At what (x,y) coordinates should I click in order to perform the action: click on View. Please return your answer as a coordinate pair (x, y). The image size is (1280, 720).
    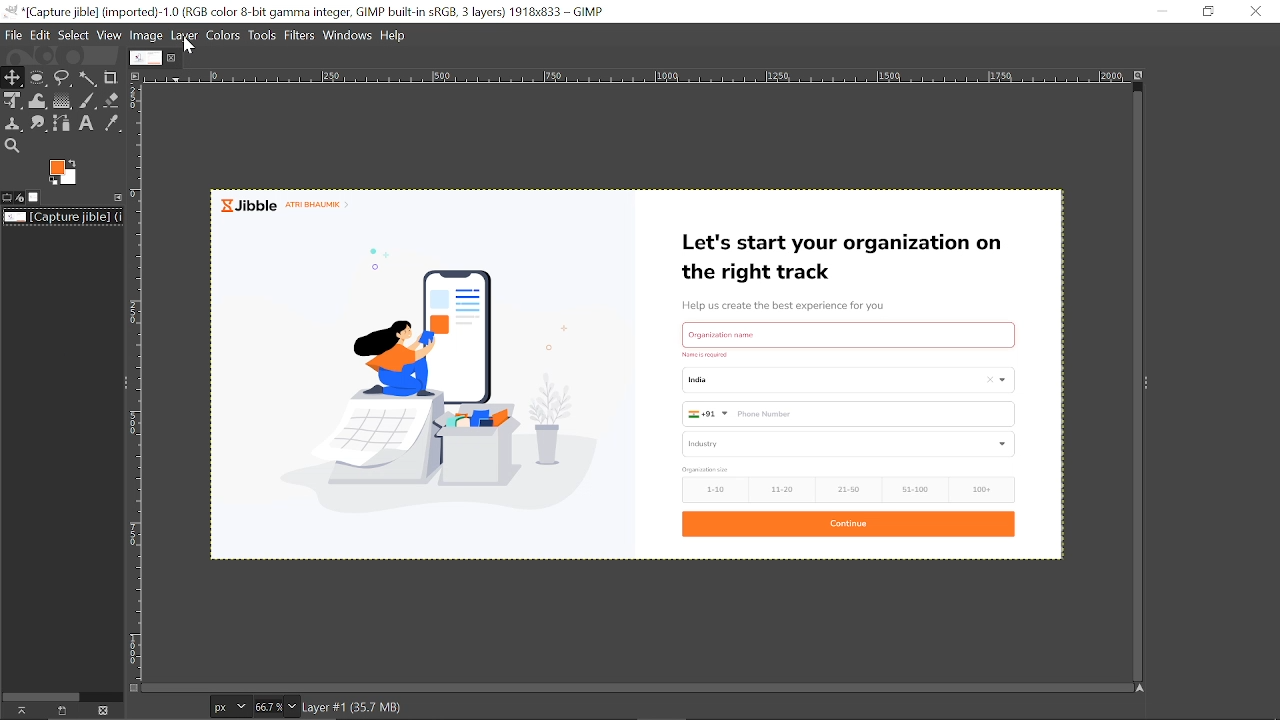
    Looking at the image, I should click on (110, 34).